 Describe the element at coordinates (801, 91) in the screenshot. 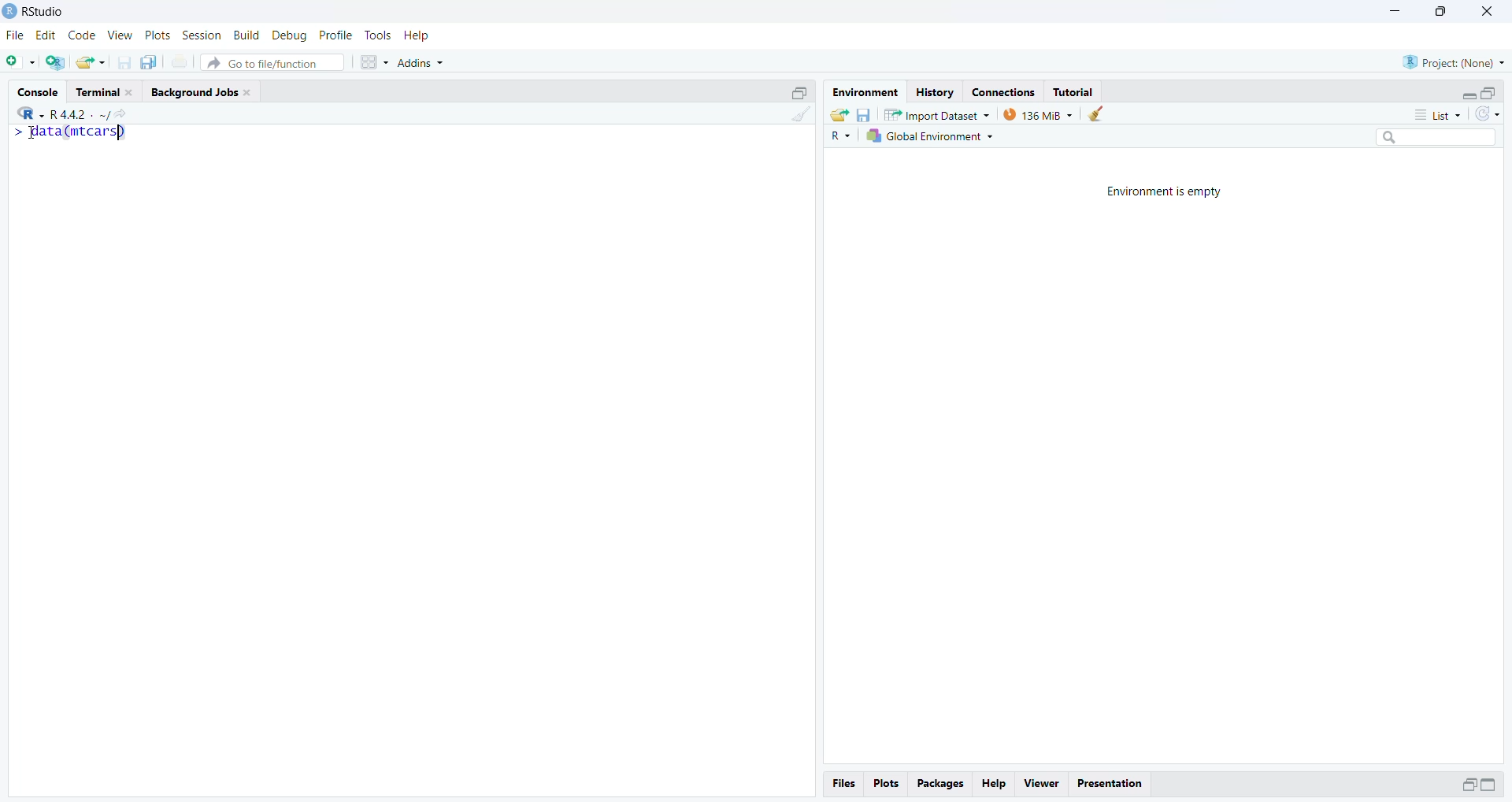

I see `Maximize` at that location.